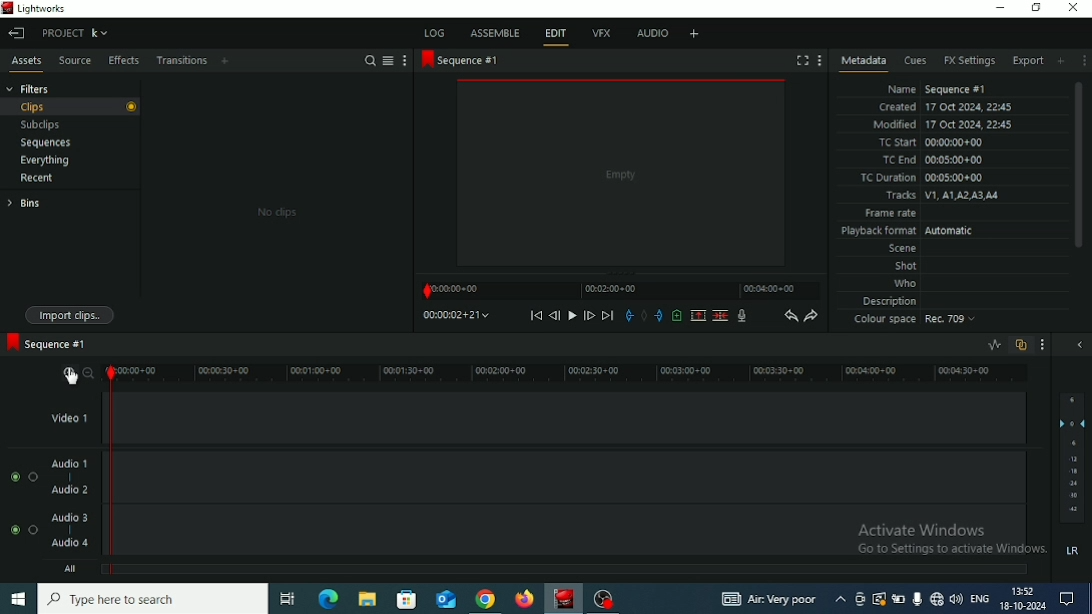 This screenshot has height=614, width=1092. I want to click on Created : date and time, so click(943, 108).